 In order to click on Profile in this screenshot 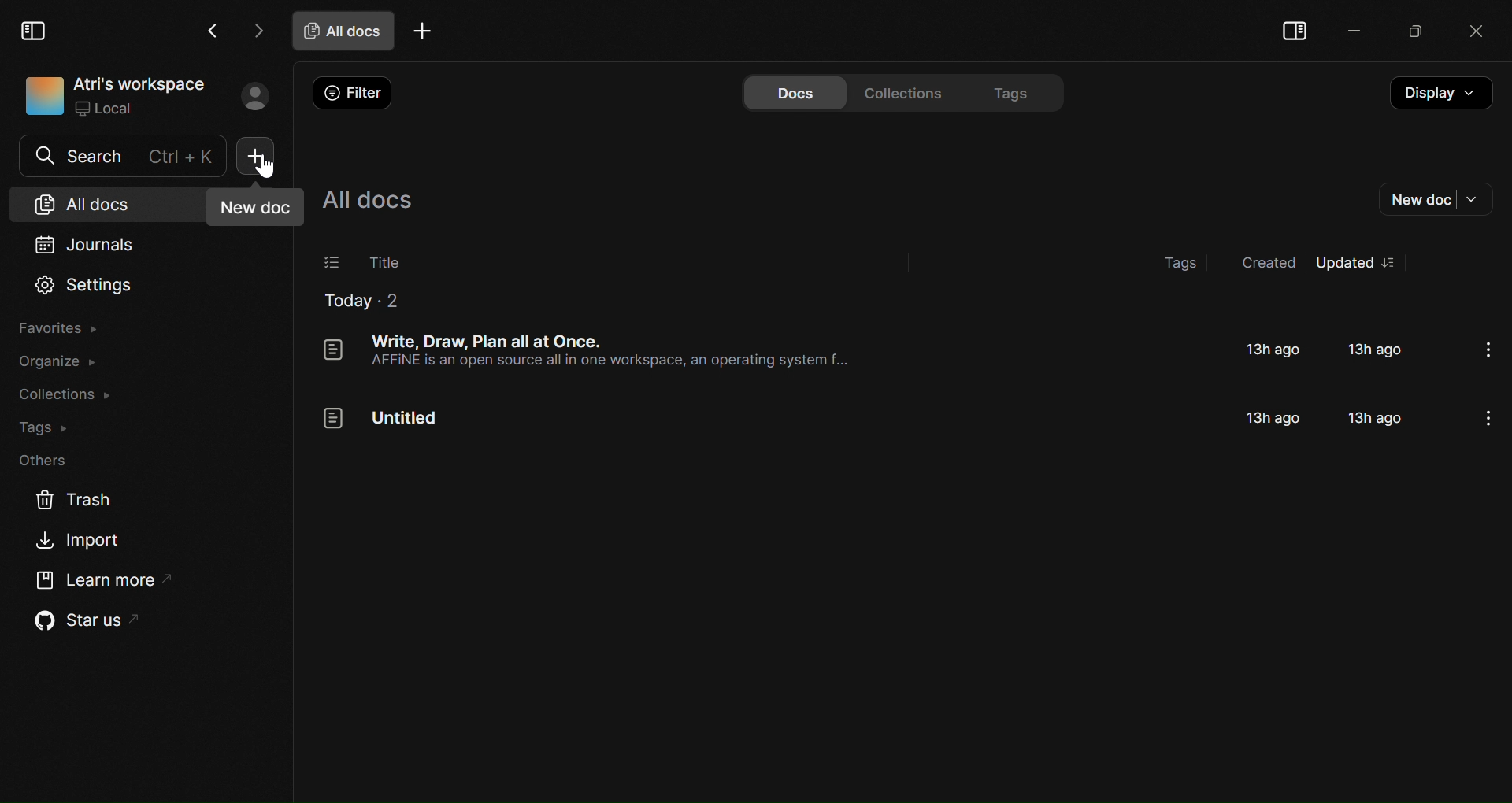, I will do `click(254, 96)`.